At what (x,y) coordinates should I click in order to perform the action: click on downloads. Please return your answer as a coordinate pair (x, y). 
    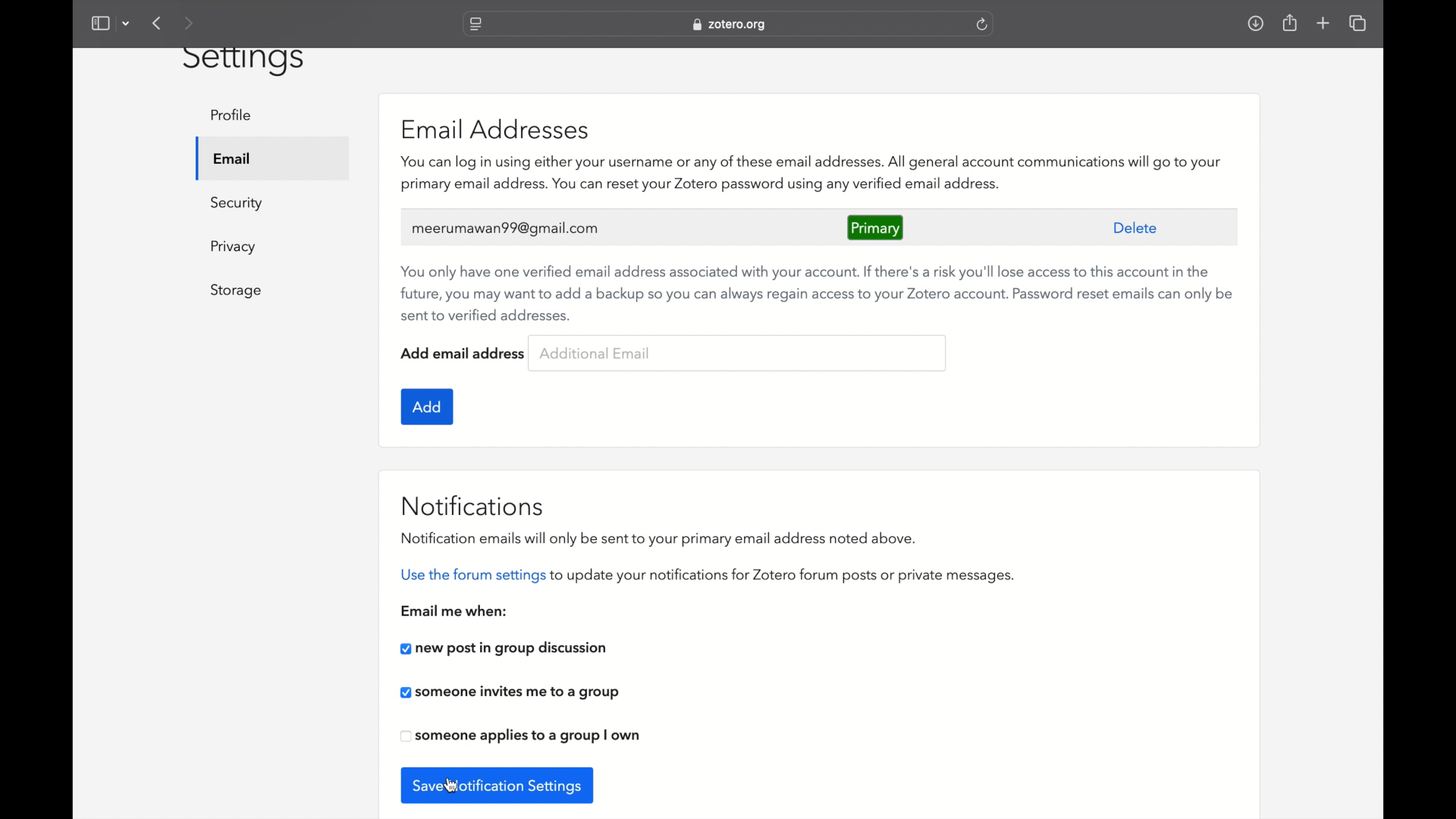
    Looking at the image, I should click on (1256, 23).